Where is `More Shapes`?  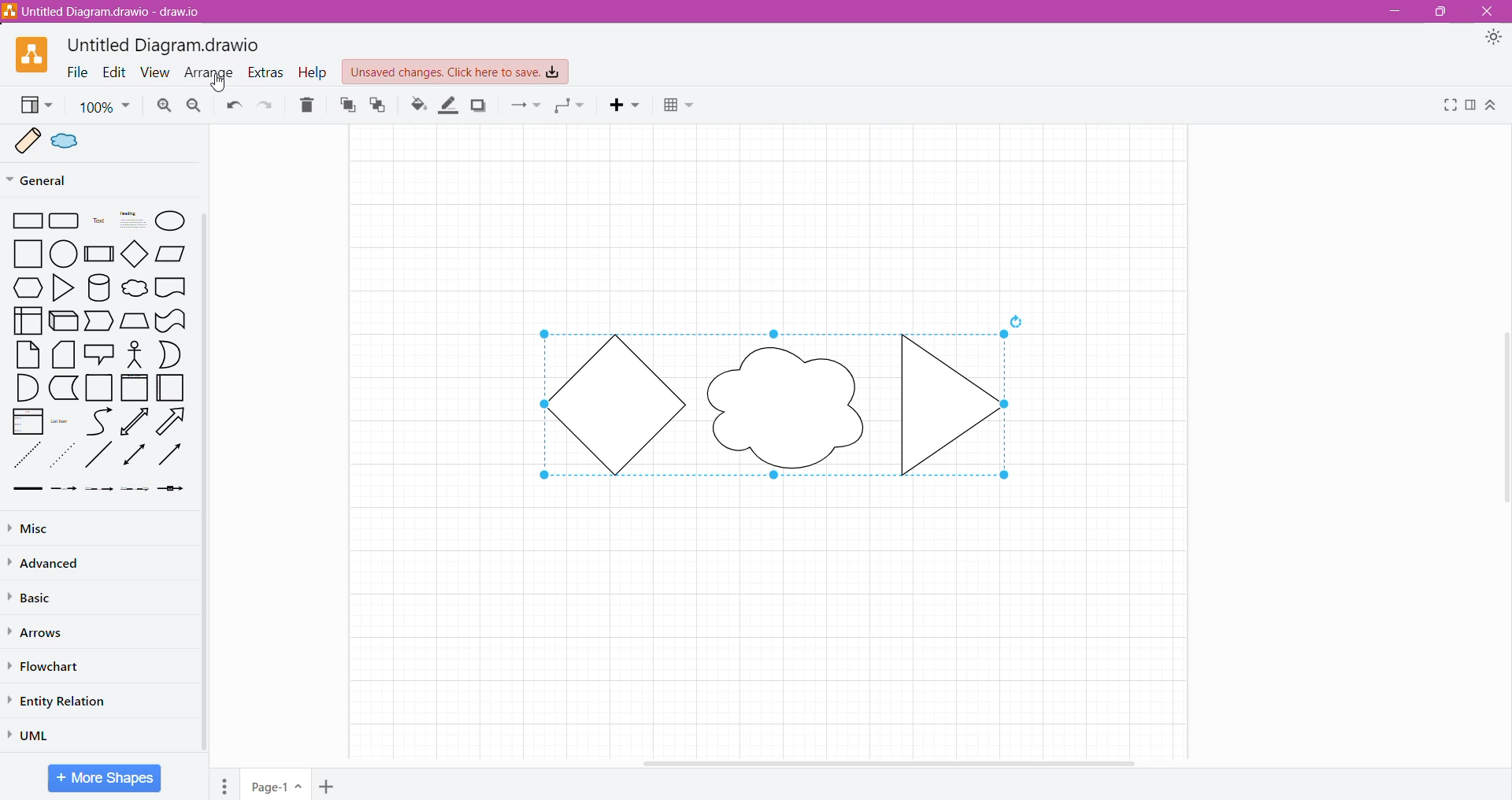
More Shapes is located at coordinates (104, 778).